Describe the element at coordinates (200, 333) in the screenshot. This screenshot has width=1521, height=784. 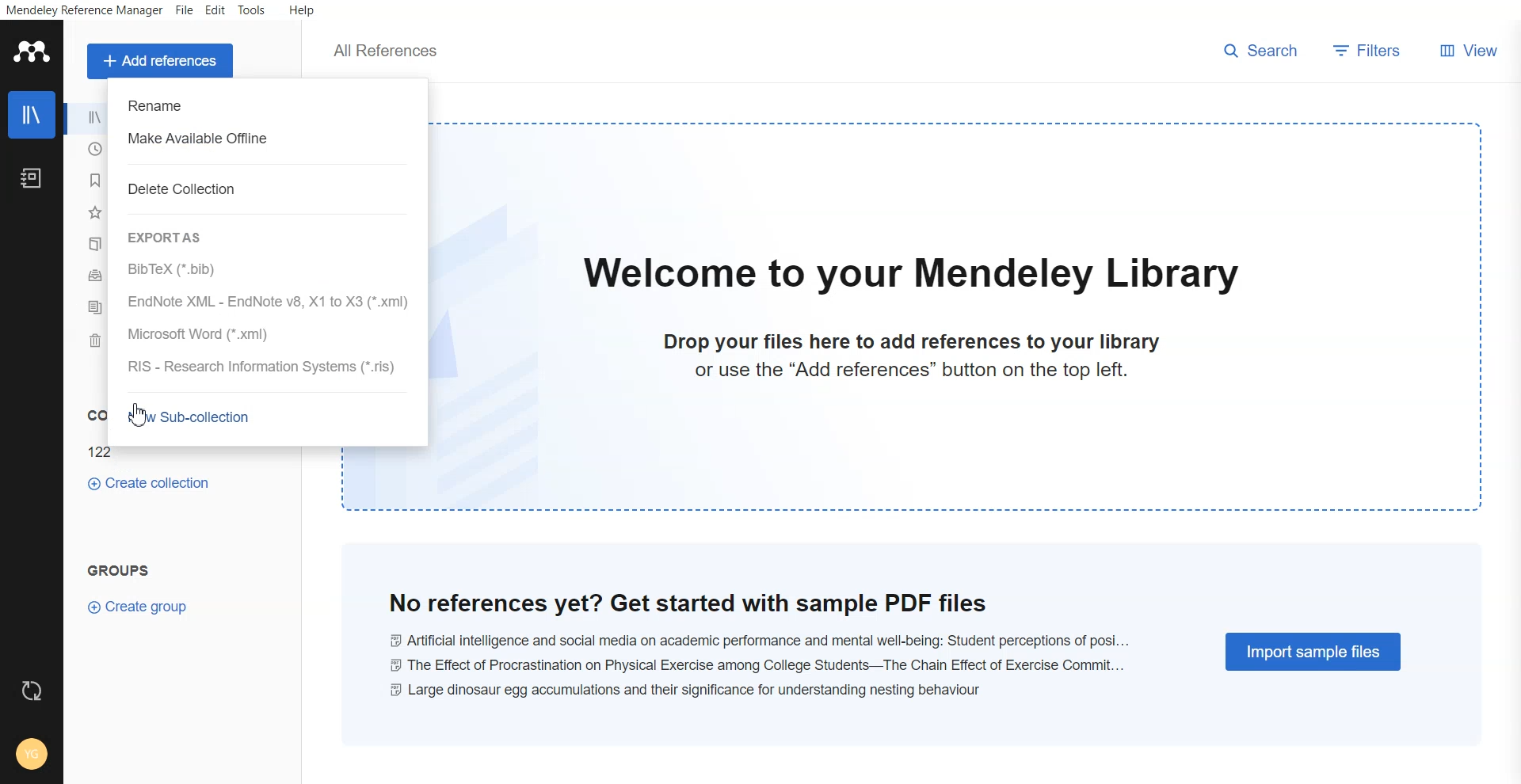
I see `Microsoft Word` at that location.